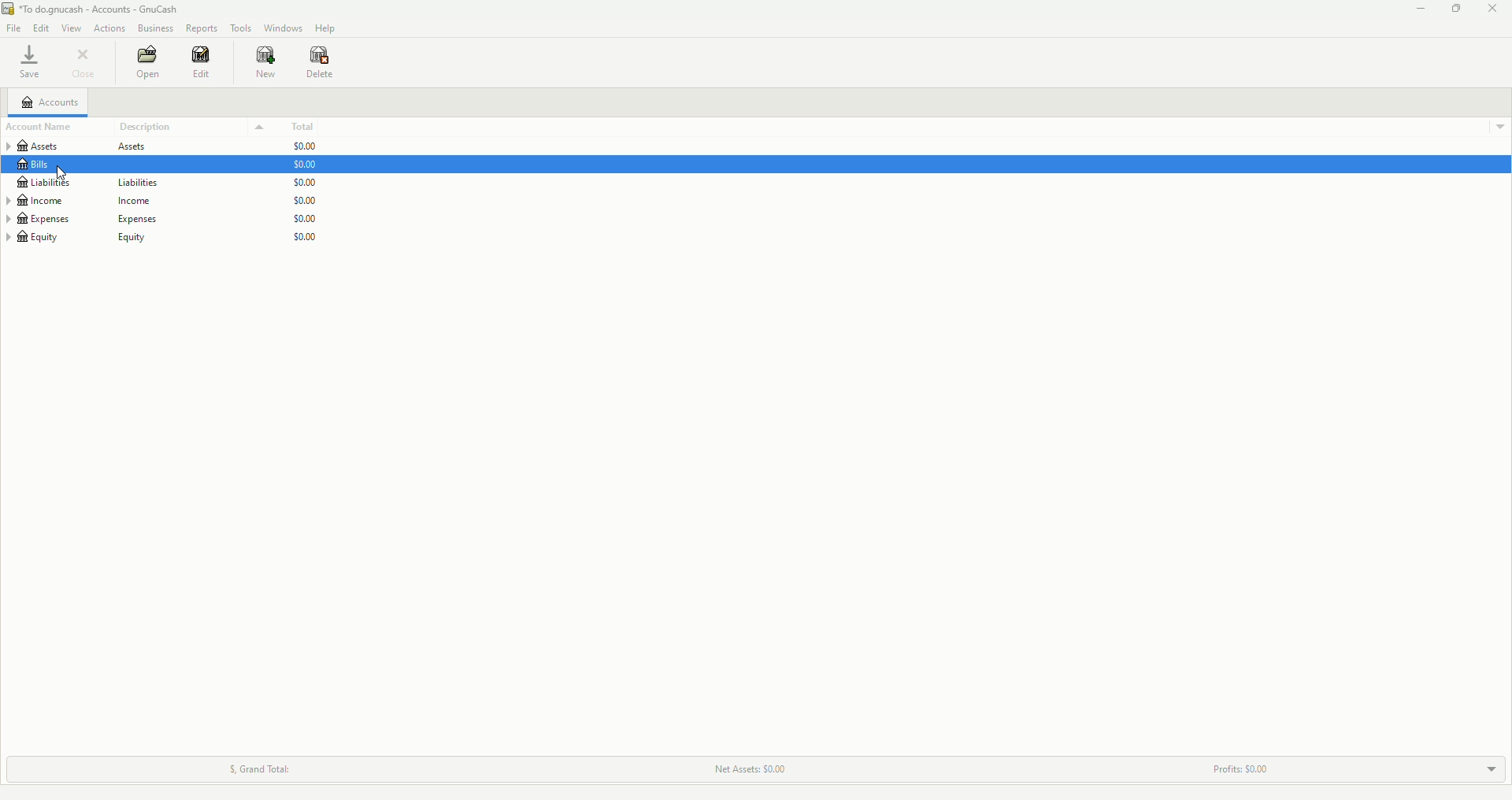  What do you see at coordinates (1495, 124) in the screenshot?
I see `Drop down menu` at bounding box center [1495, 124].